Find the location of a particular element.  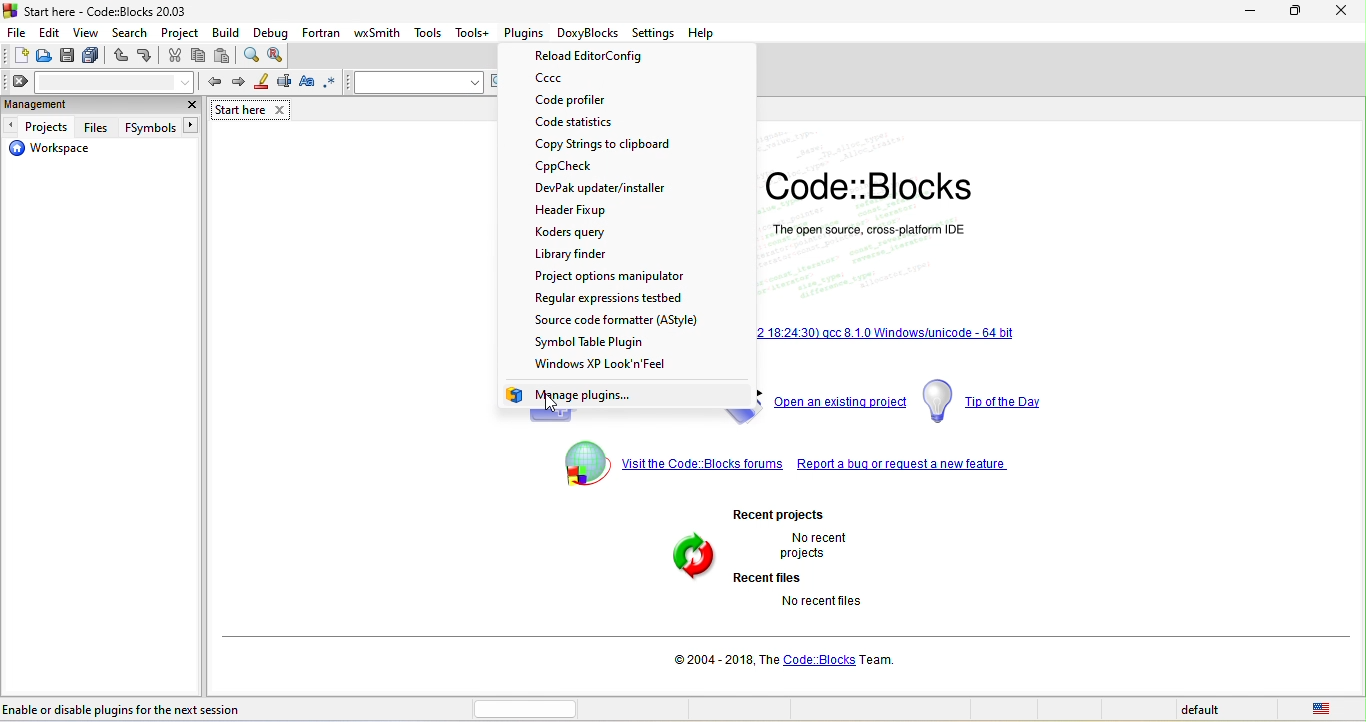

cut is located at coordinates (175, 55).